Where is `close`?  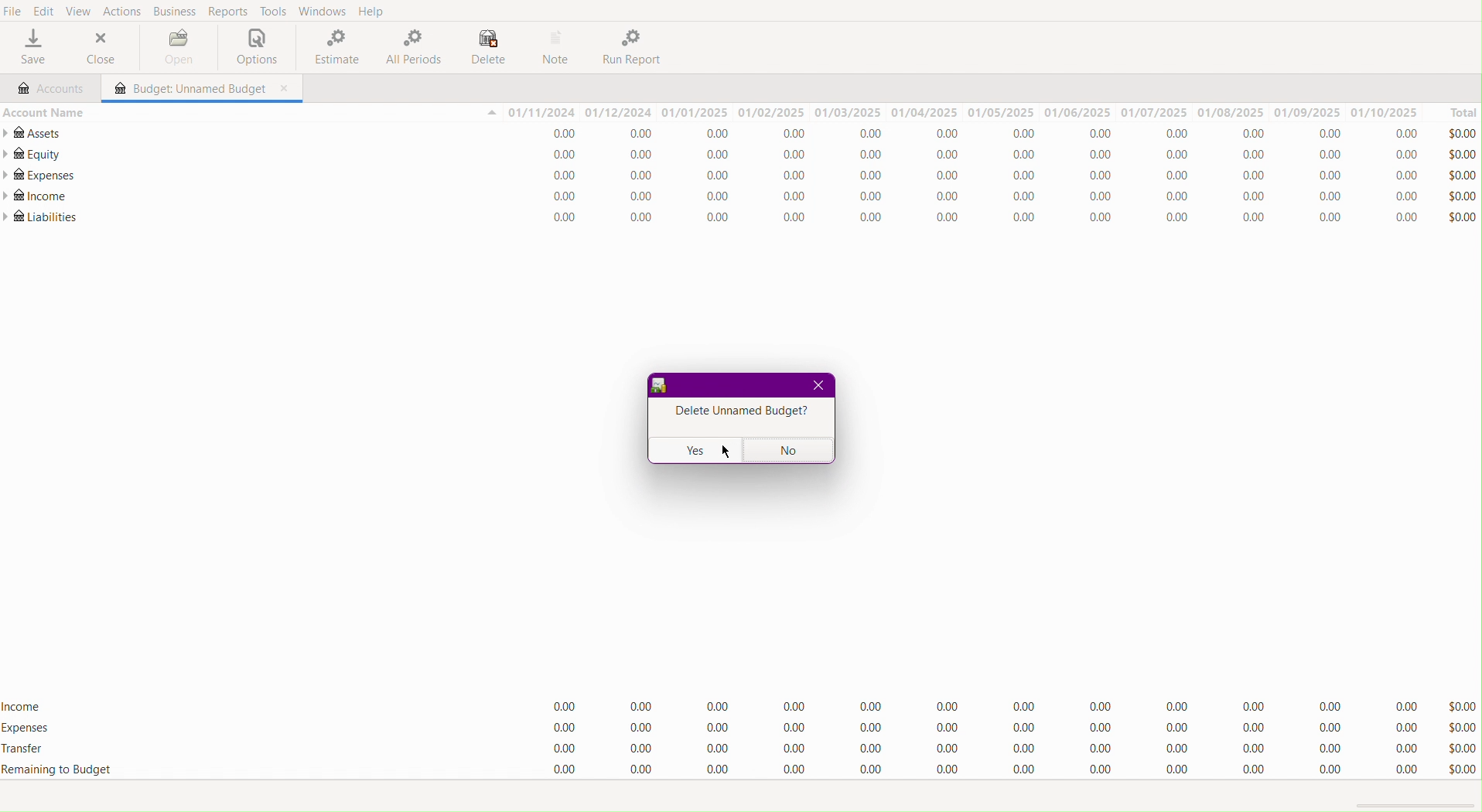 close is located at coordinates (286, 89).